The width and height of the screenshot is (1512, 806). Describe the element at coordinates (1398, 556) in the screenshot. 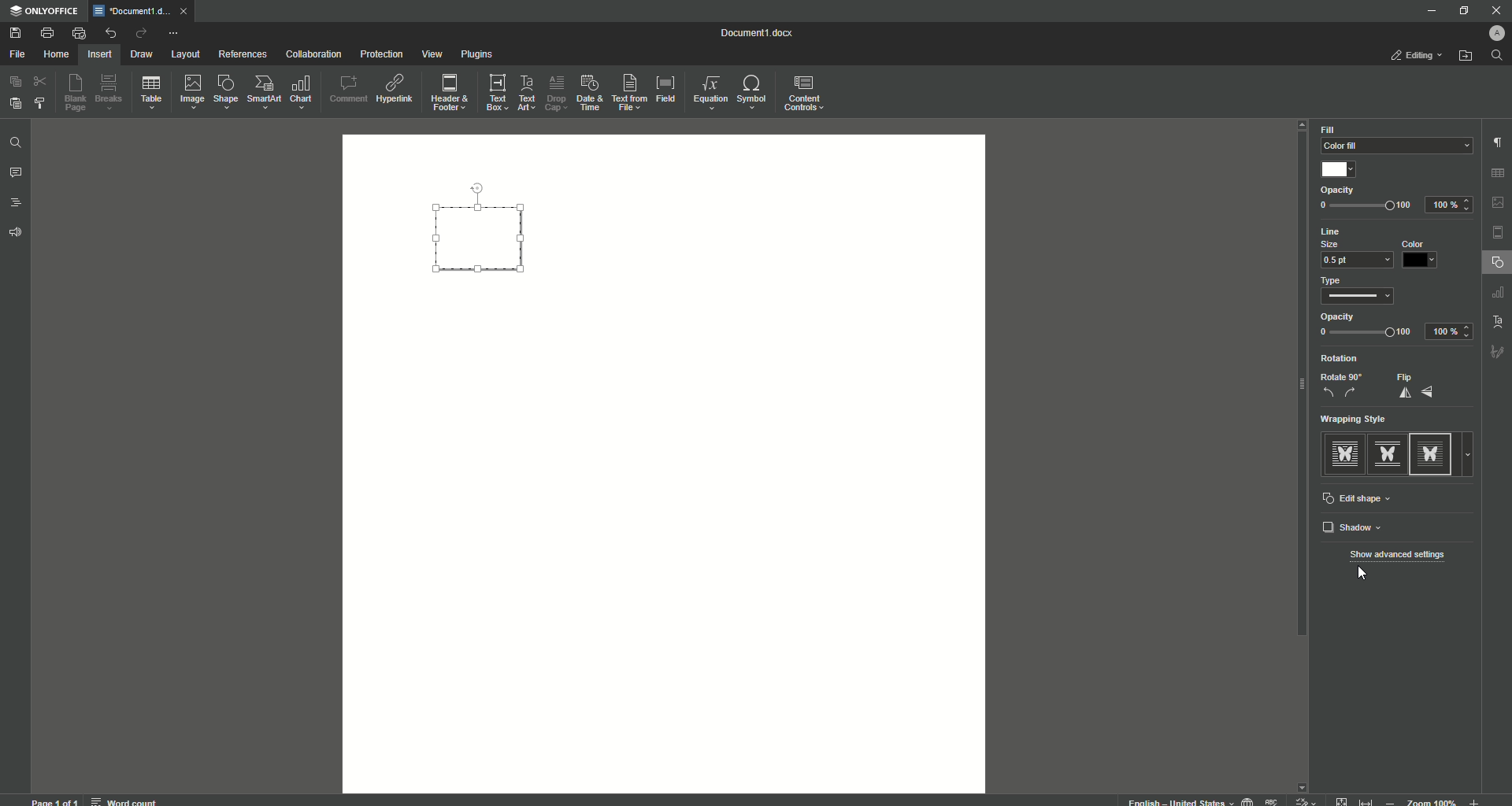

I see `Show advanced settings` at that location.